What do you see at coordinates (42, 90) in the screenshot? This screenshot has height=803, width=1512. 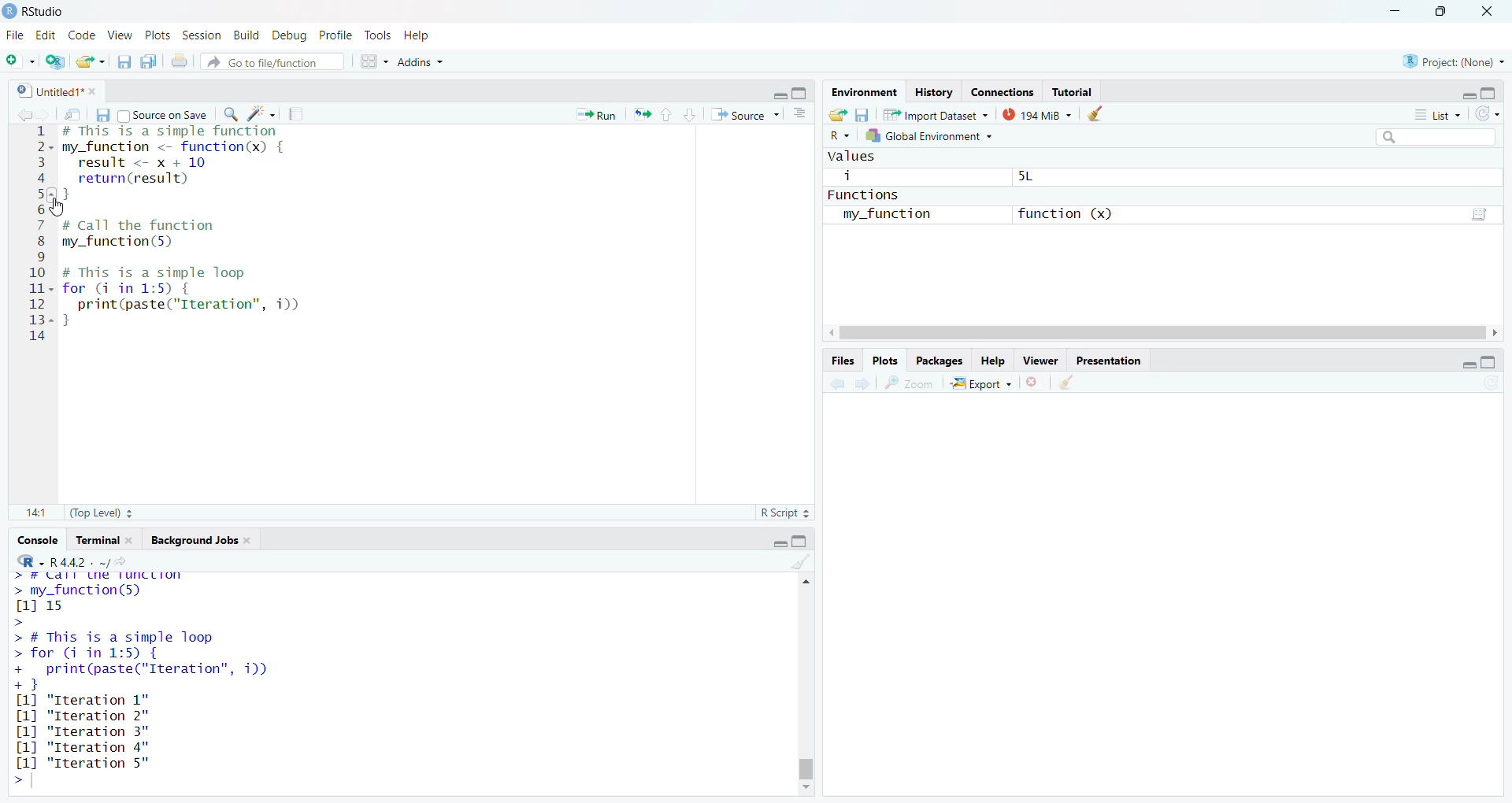 I see `untitled` at bounding box center [42, 90].